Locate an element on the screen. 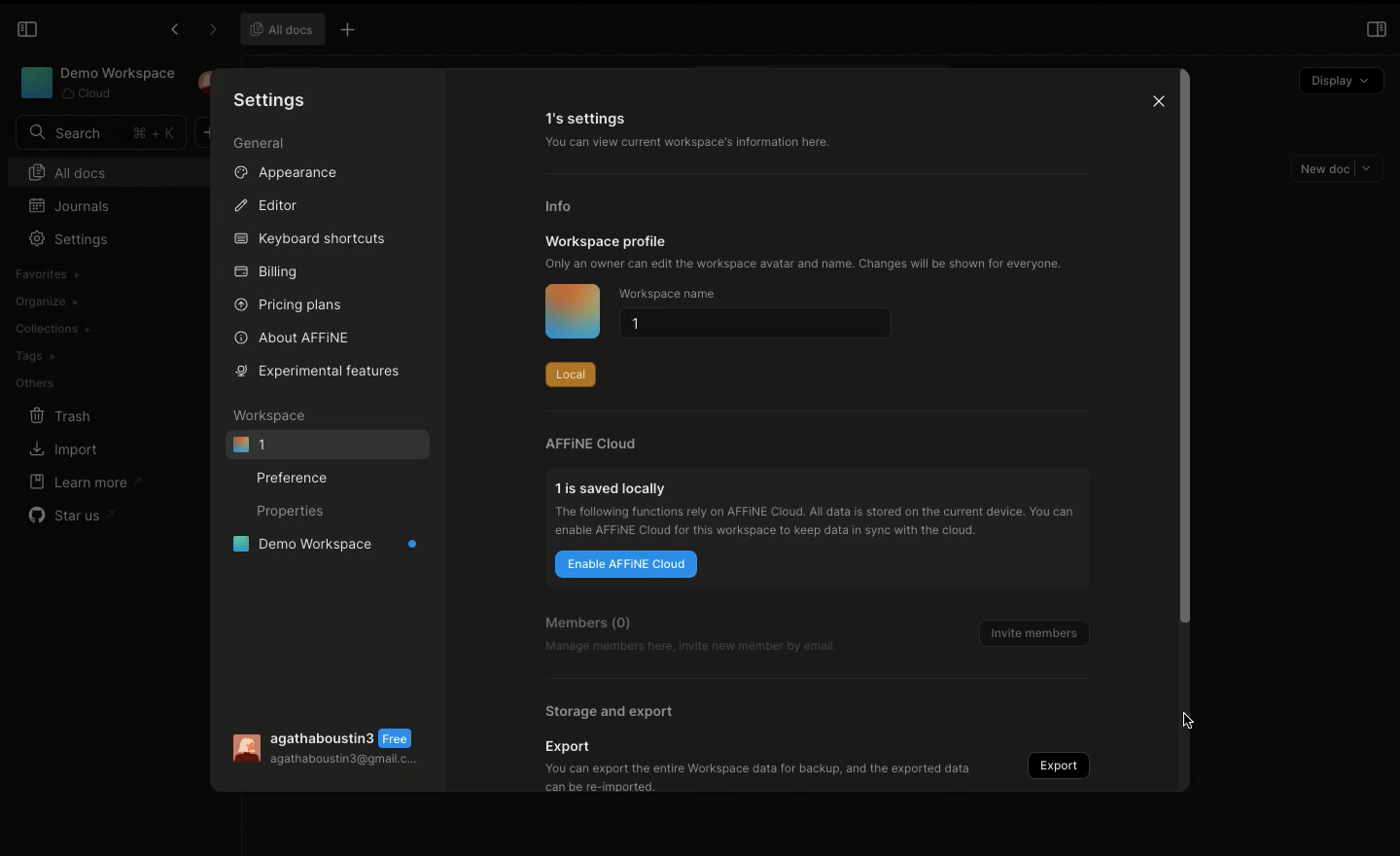 The height and width of the screenshot is (856, 1400). Forward is located at coordinates (209, 30).